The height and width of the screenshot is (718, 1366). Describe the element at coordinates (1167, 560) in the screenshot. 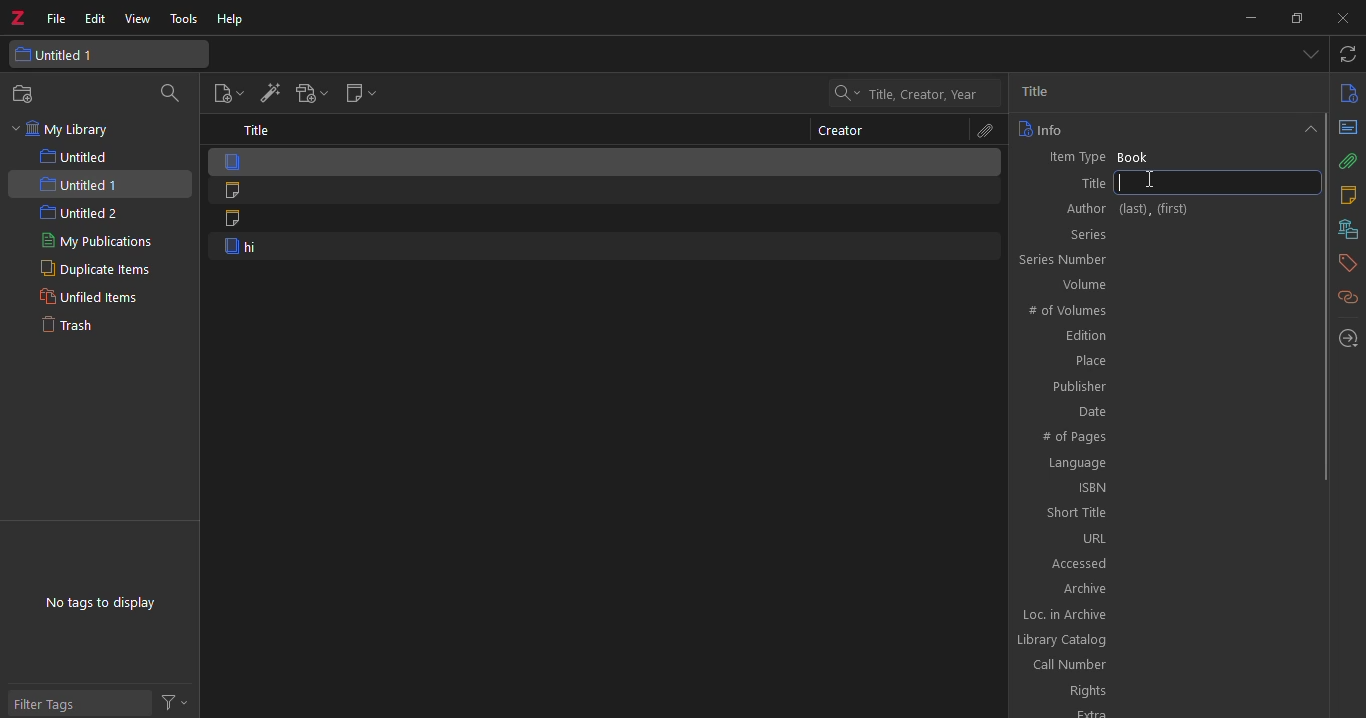

I see `accessed` at that location.